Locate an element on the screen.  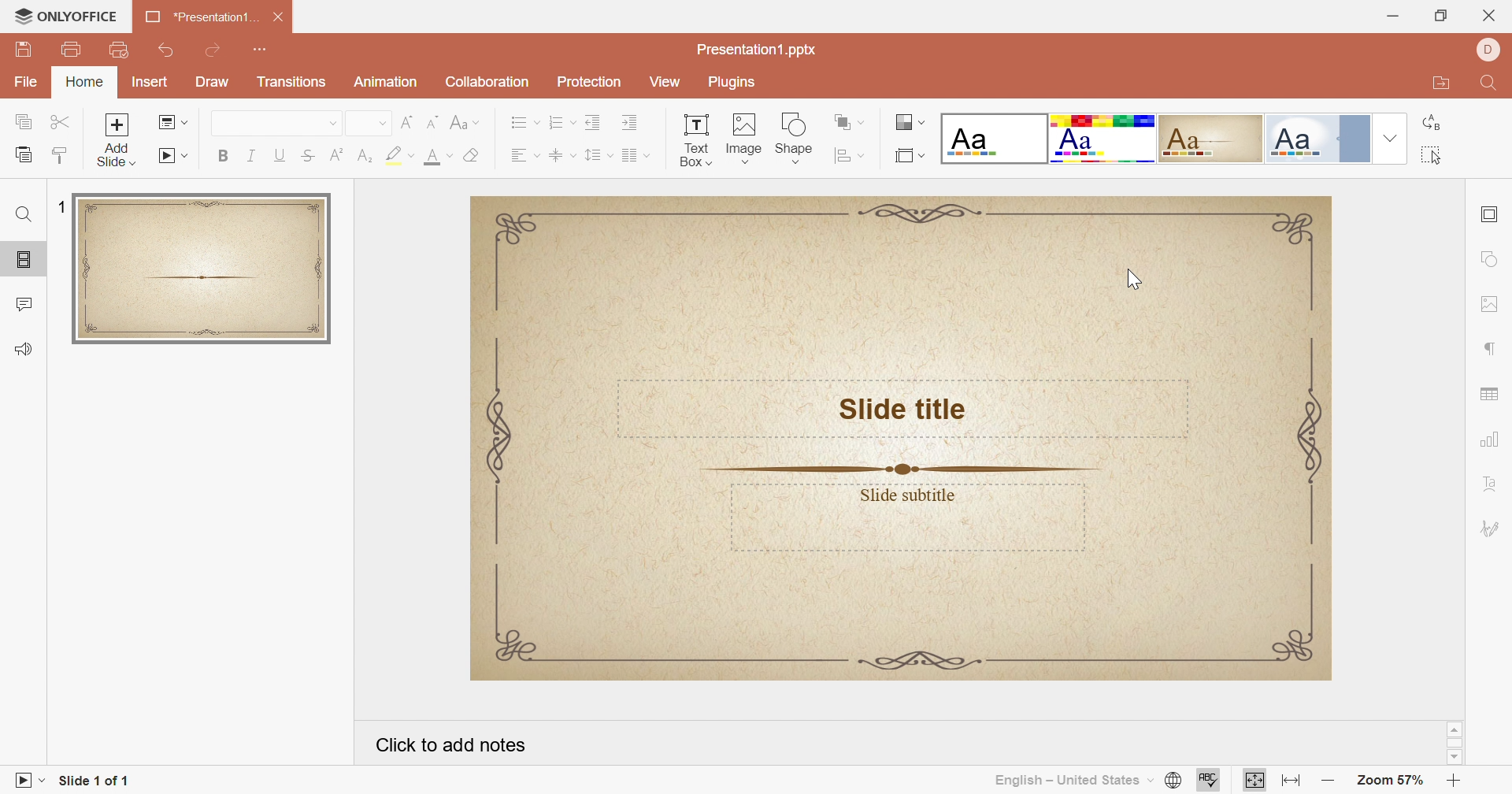
Customize Quick Access Toolbar is located at coordinates (263, 52).